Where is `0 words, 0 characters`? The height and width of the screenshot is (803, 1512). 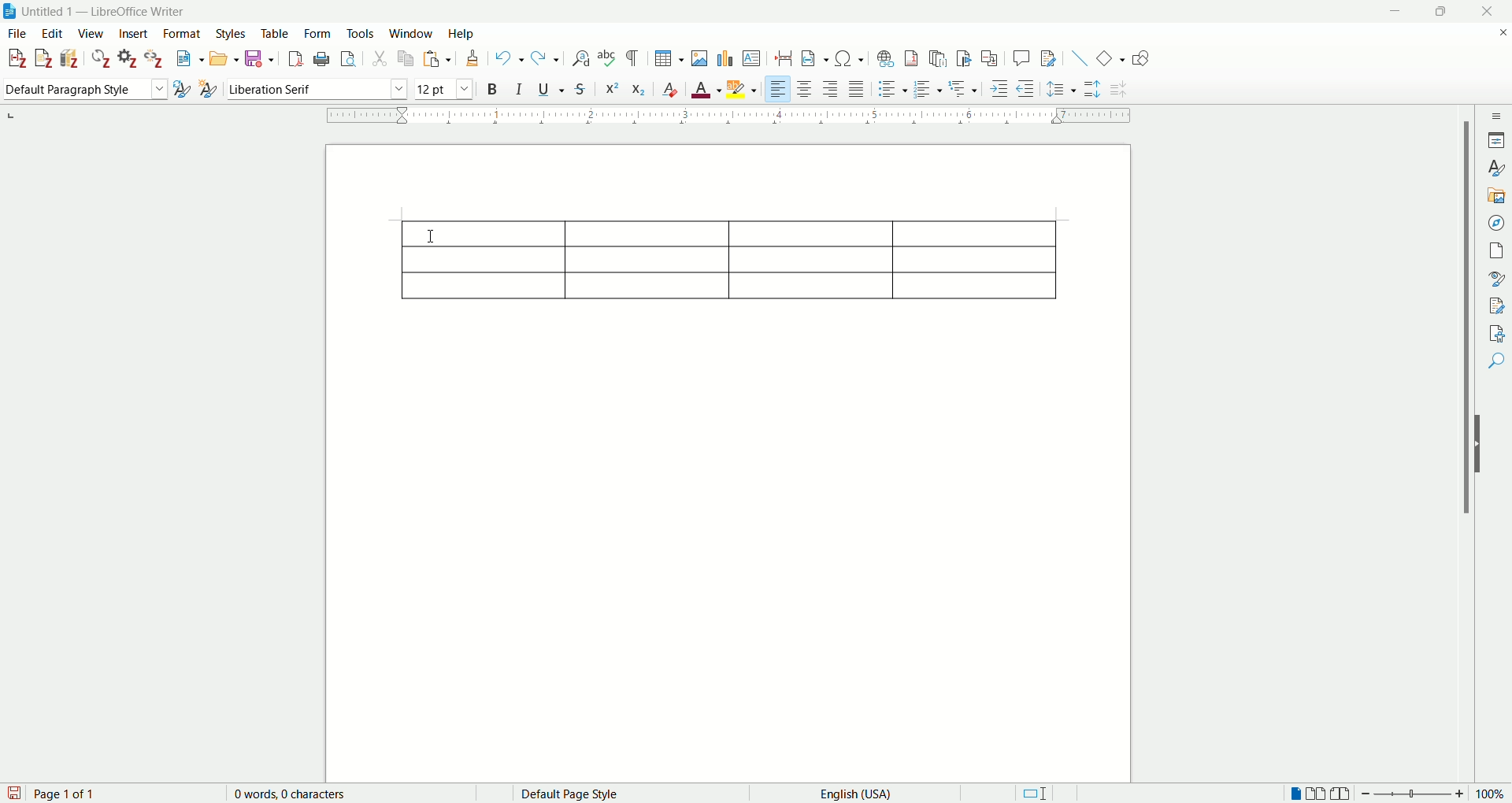
0 words, 0 characters is located at coordinates (292, 793).